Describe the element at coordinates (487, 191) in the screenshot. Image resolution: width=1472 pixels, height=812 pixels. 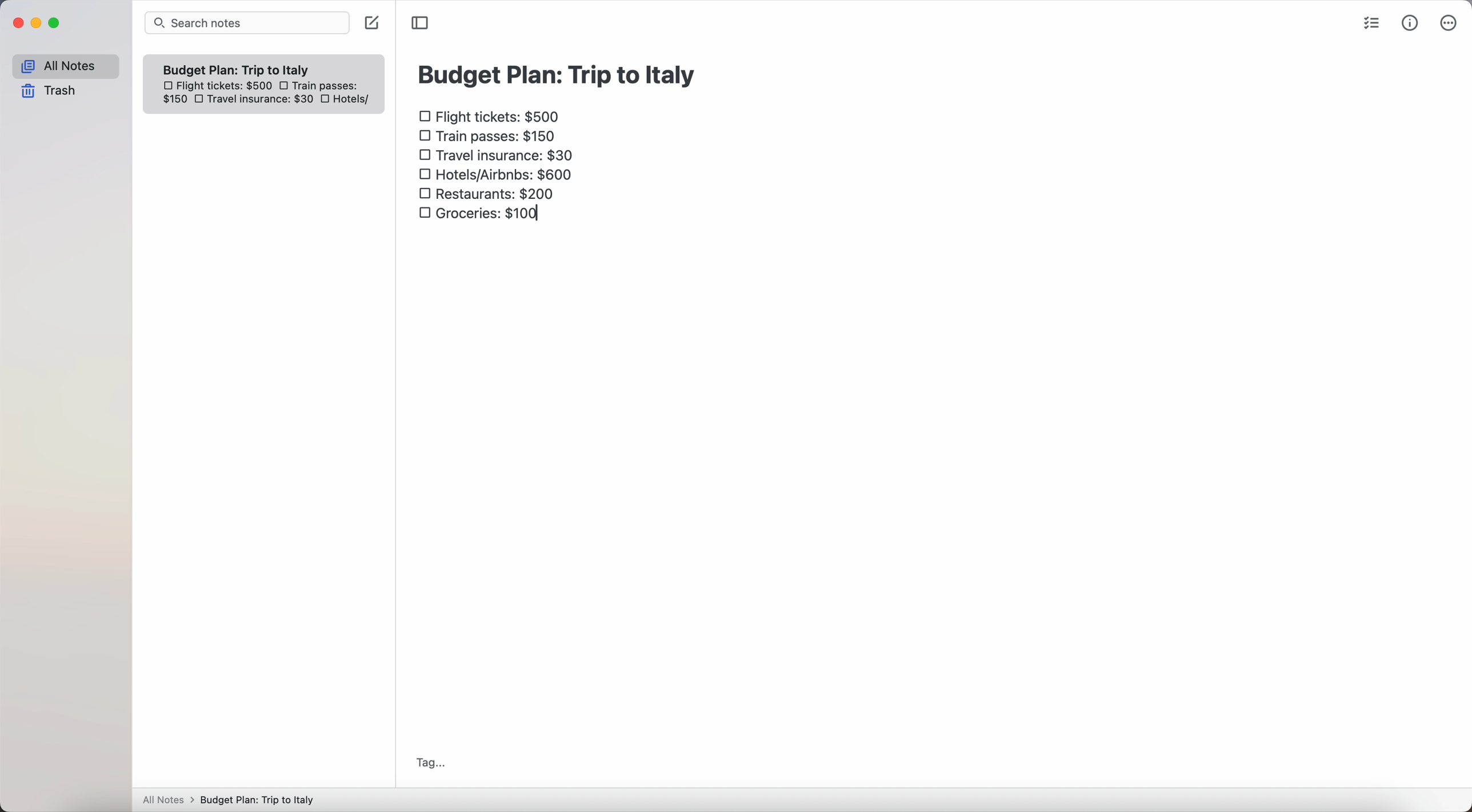
I see `restaurants: $200 checkbox` at that location.